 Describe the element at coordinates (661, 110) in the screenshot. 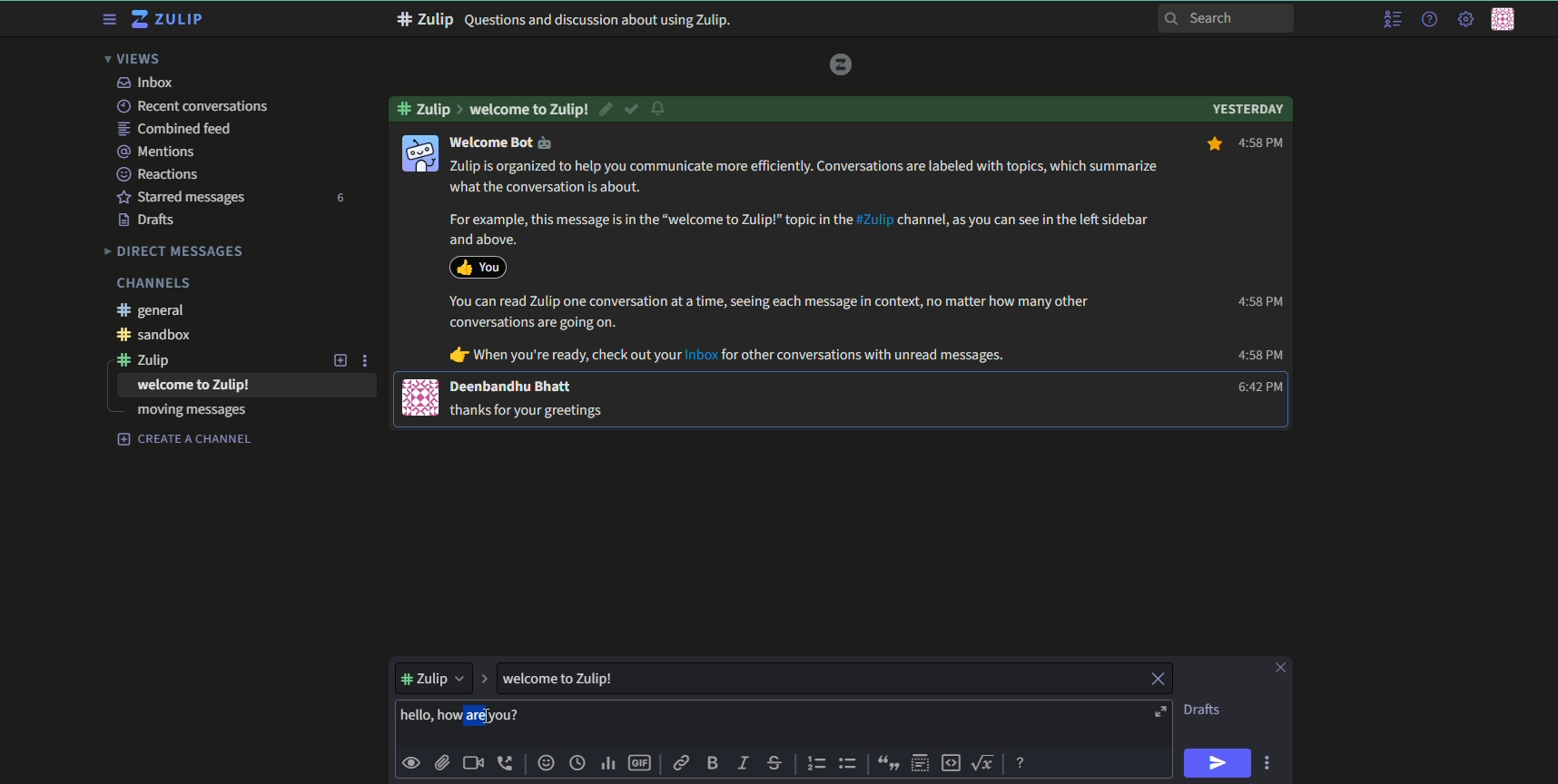

I see `notification` at that location.